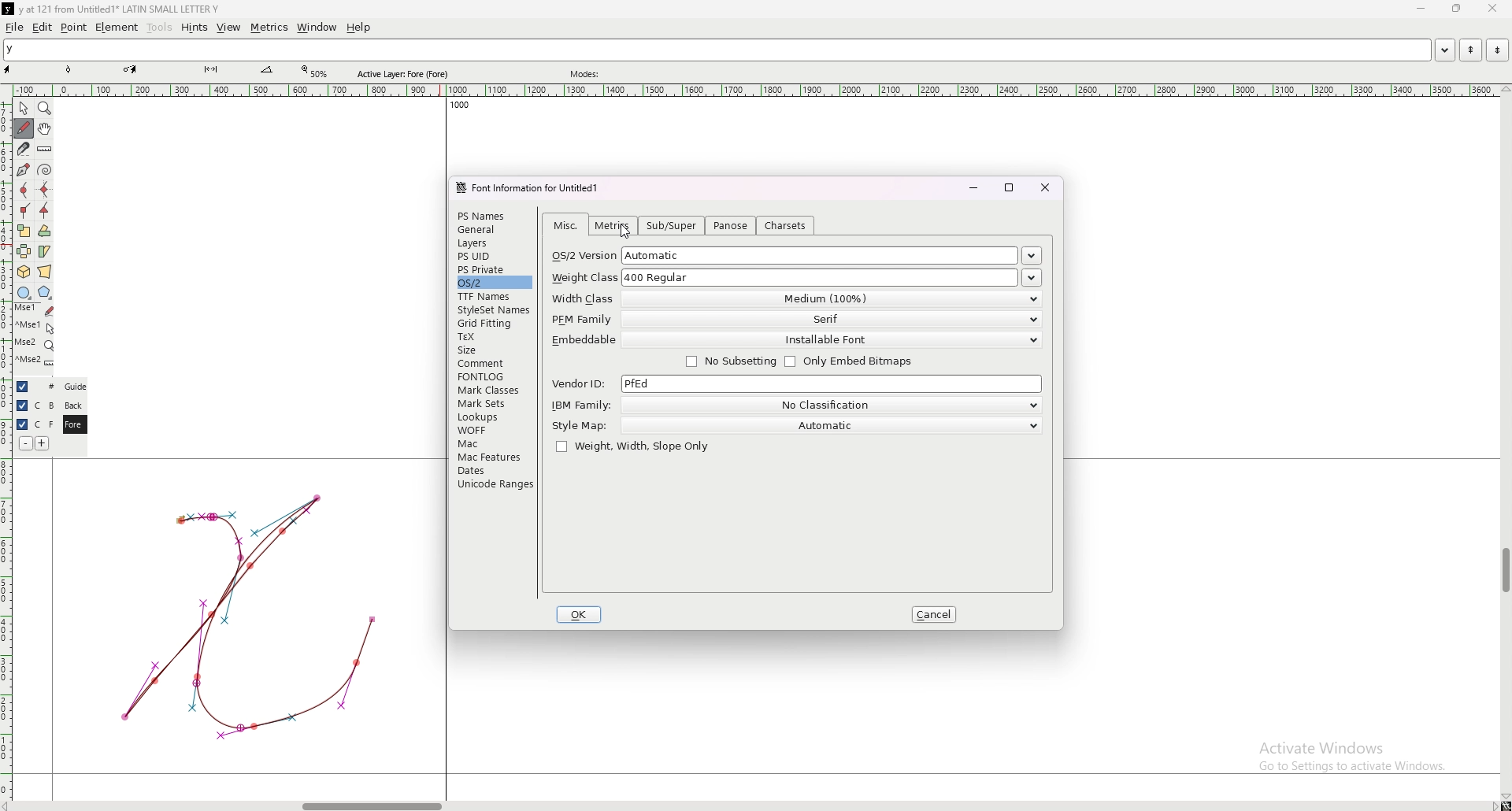  I want to click on view, so click(229, 28).